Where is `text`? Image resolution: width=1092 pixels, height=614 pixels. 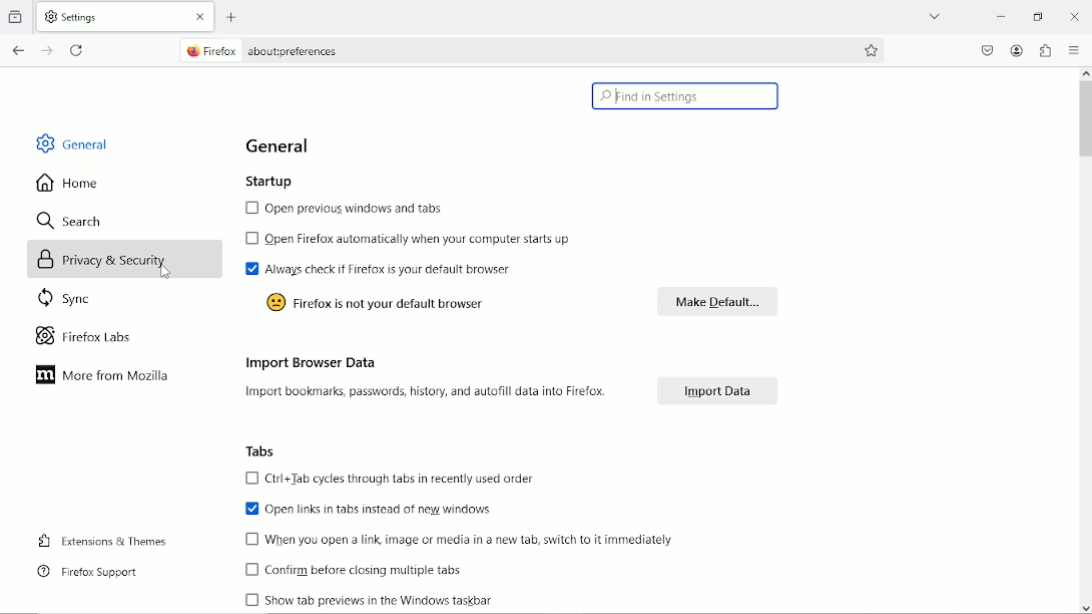 text is located at coordinates (412, 269).